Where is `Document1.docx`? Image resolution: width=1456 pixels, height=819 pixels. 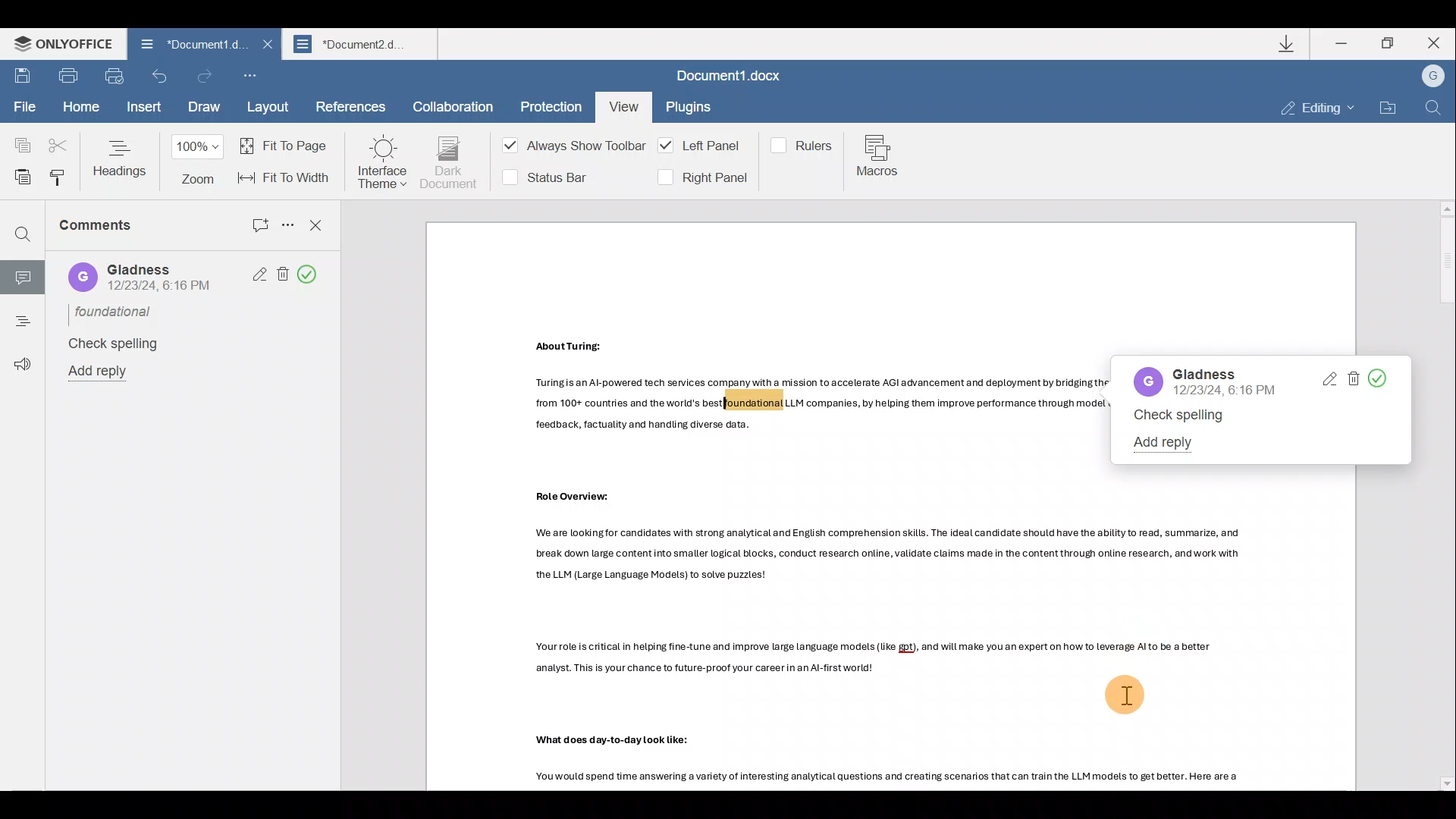
Document1.docx is located at coordinates (733, 78).